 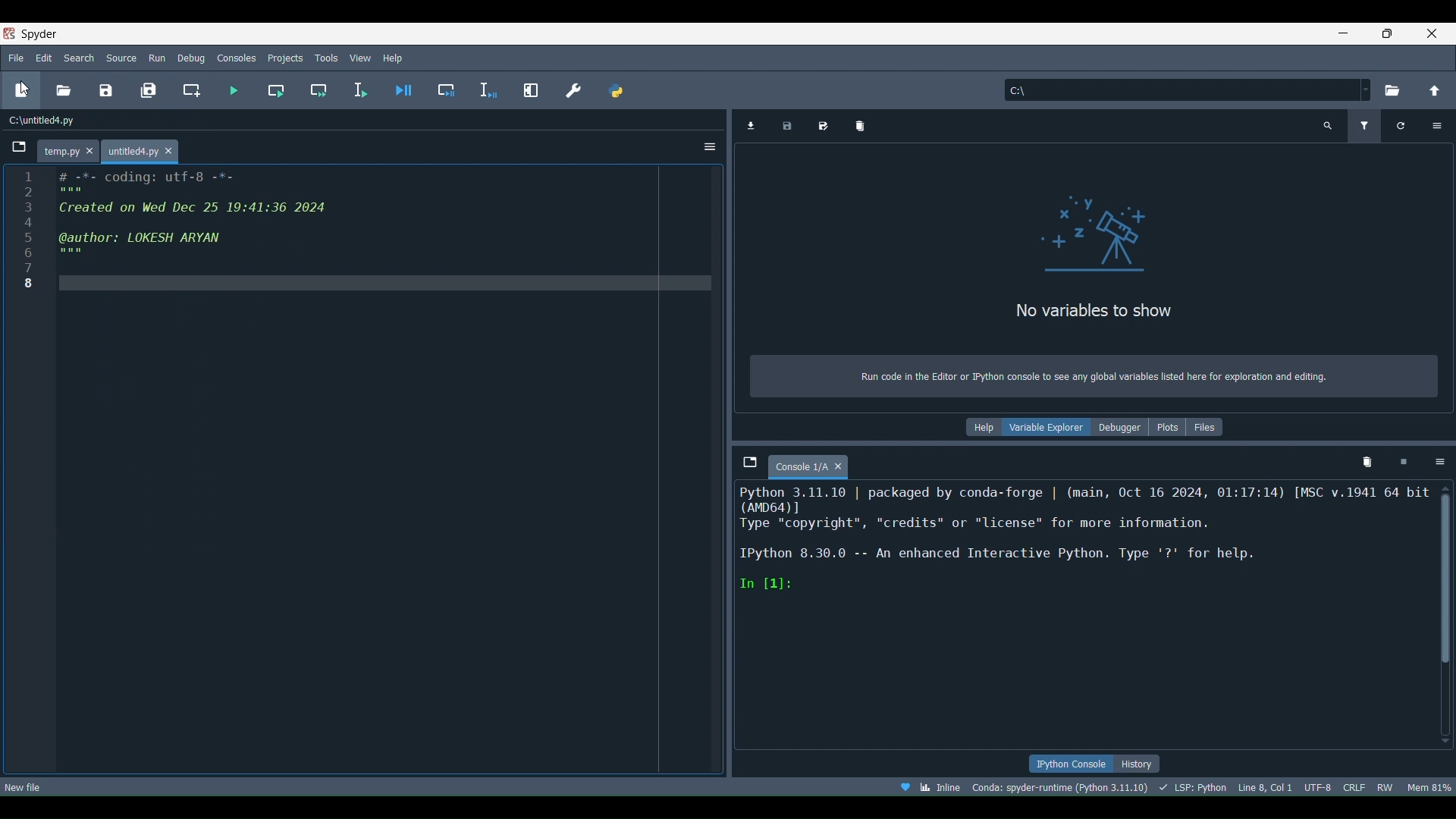 What do you see at coordinates (1429, 787) in the screenshot?
I see `Global memory usage` at bounding box center [1429, 787].